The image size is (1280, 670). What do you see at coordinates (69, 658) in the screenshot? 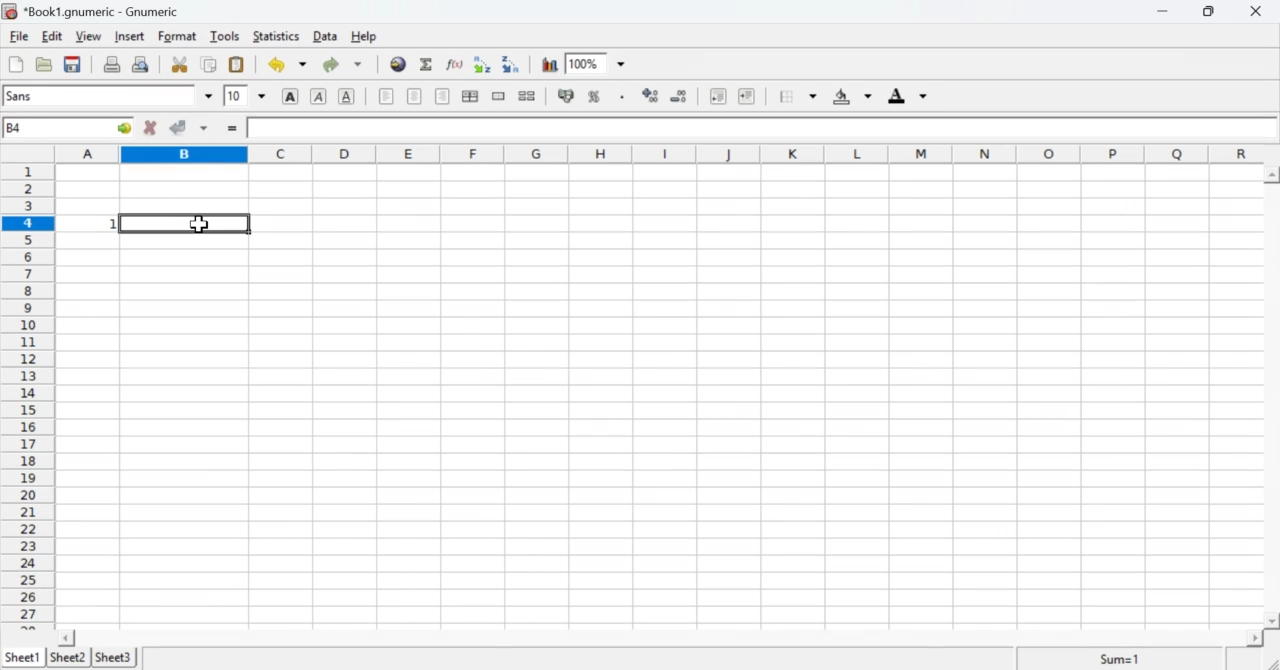
I see `Sheet 2` at bounding box center [69, 658].